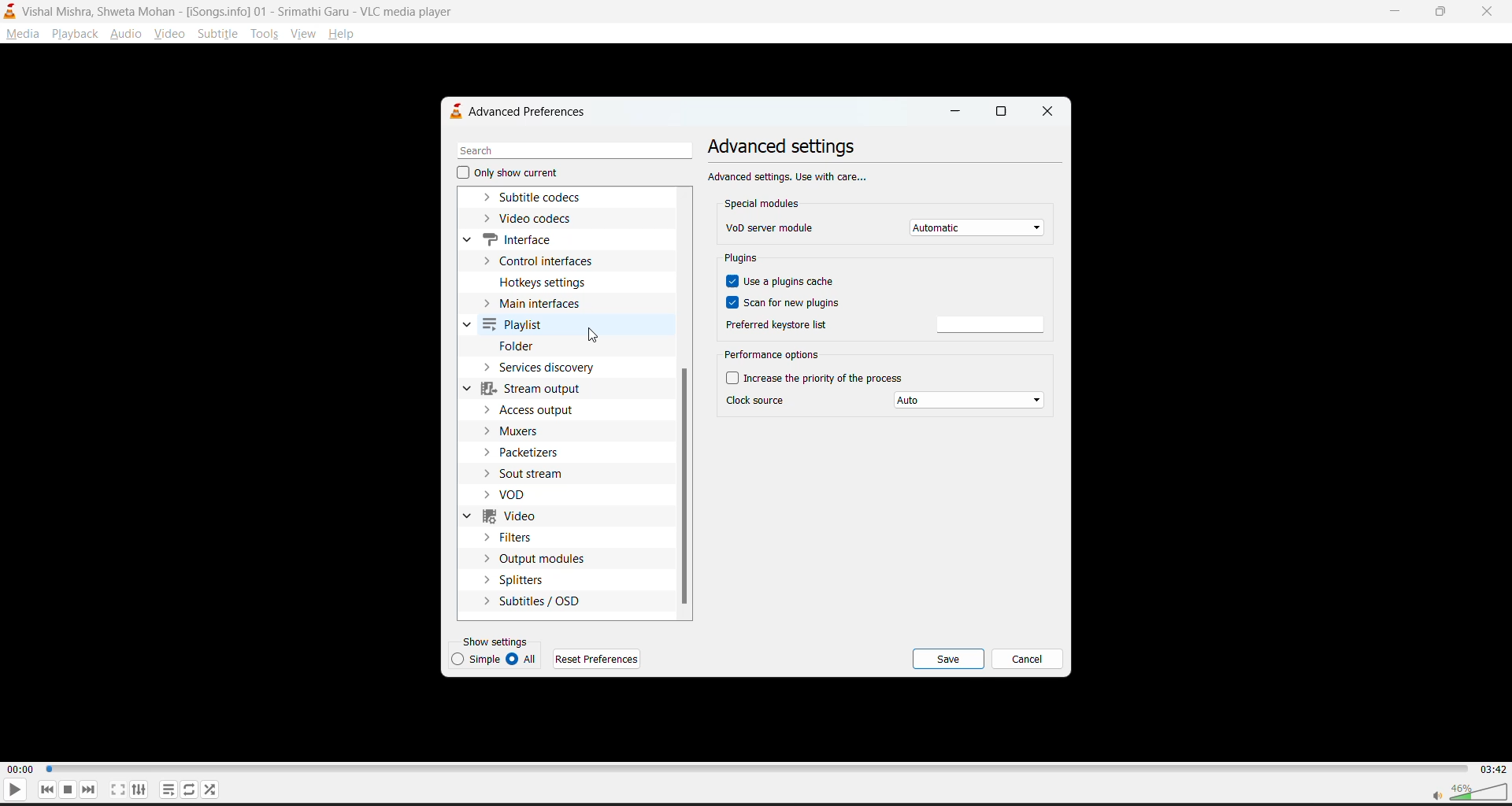 This screenshot has height=806, width=1512. Describe the element at coordinates (165, 35) in the screenshot. I see `video` at that location.